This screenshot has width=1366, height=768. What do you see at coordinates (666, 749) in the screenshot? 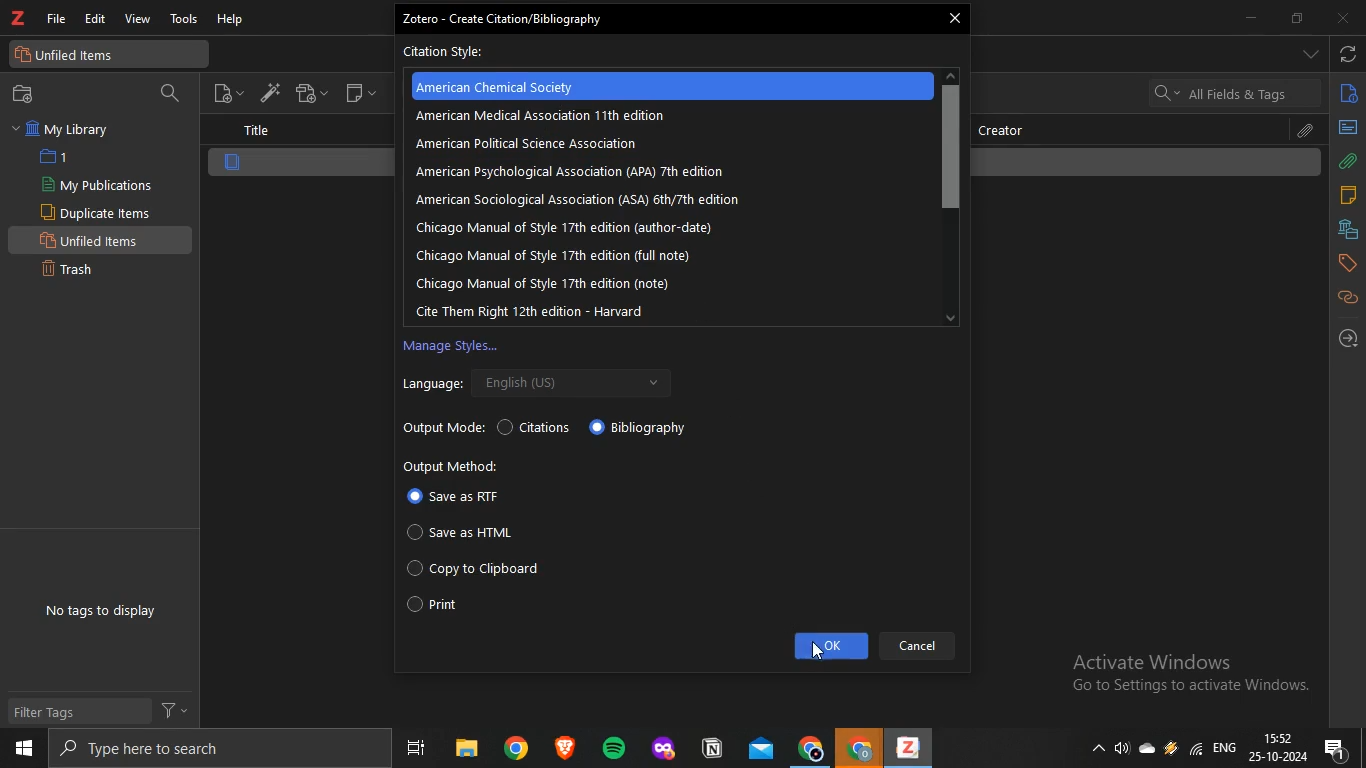
I see `application` at bounding box center [666, 749].